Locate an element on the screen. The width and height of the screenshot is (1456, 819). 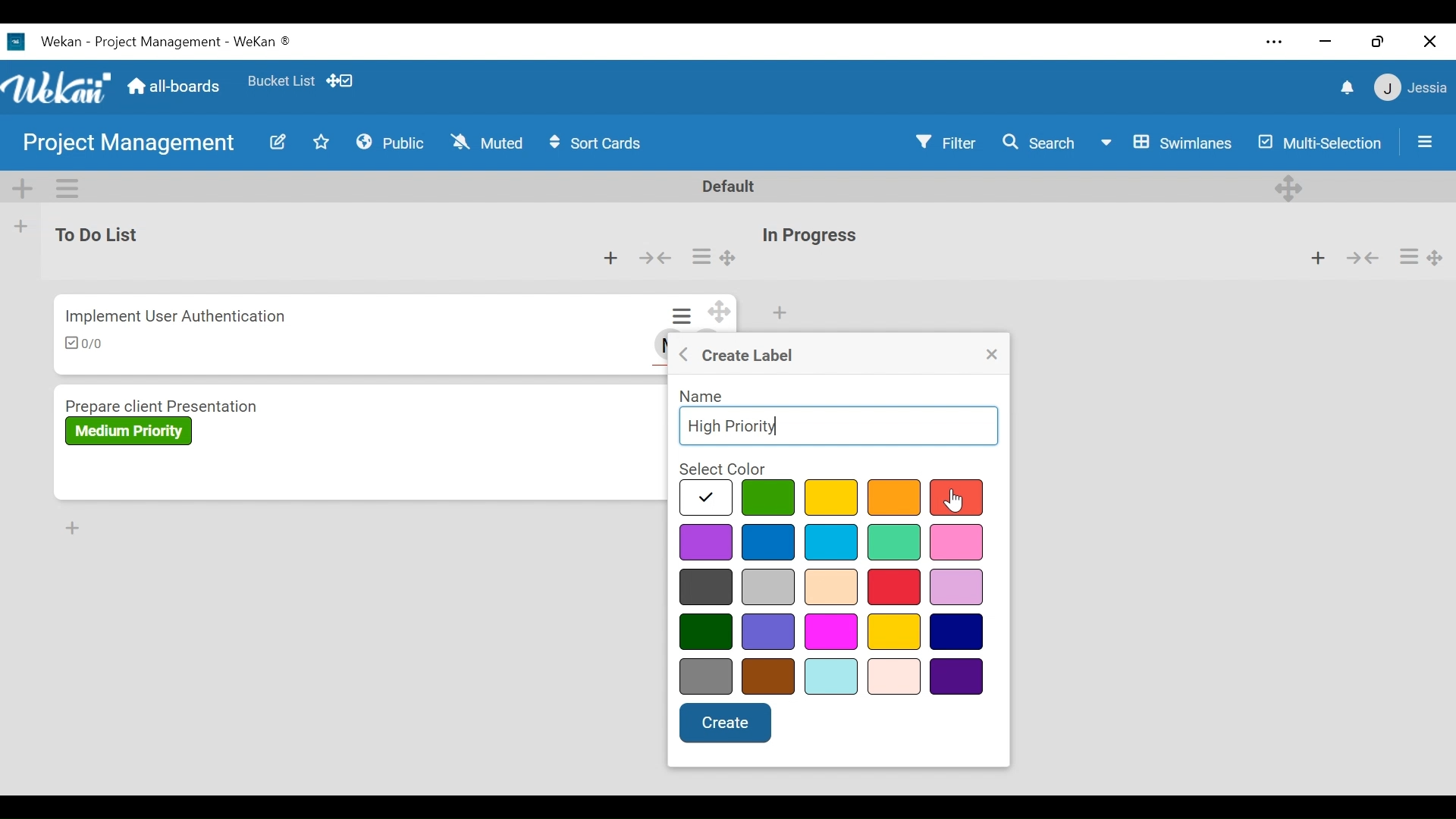
close is located at coordinates (1429, 42).